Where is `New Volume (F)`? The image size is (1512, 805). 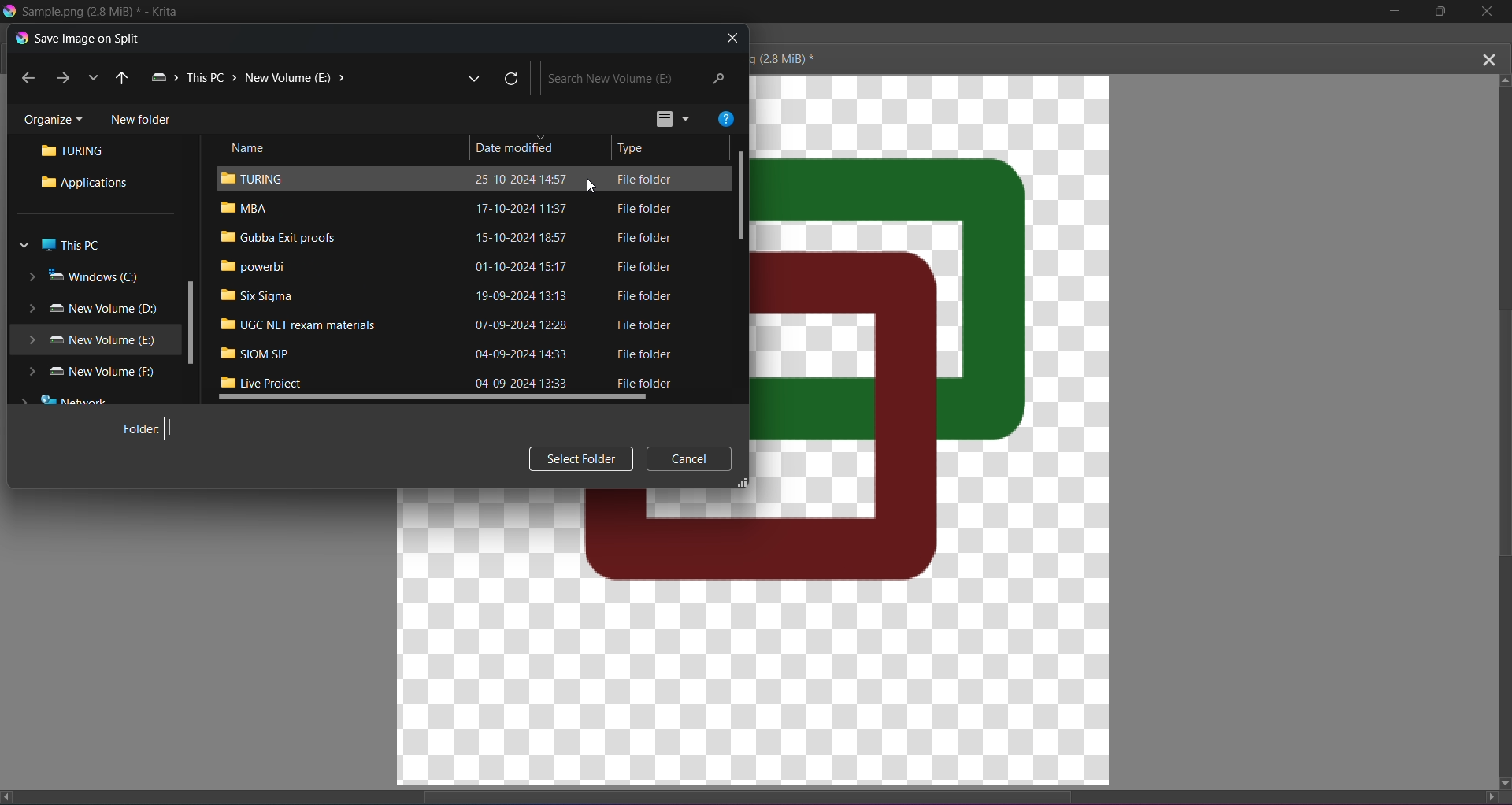
New Volume (F) is located at coordinates (87, 371).